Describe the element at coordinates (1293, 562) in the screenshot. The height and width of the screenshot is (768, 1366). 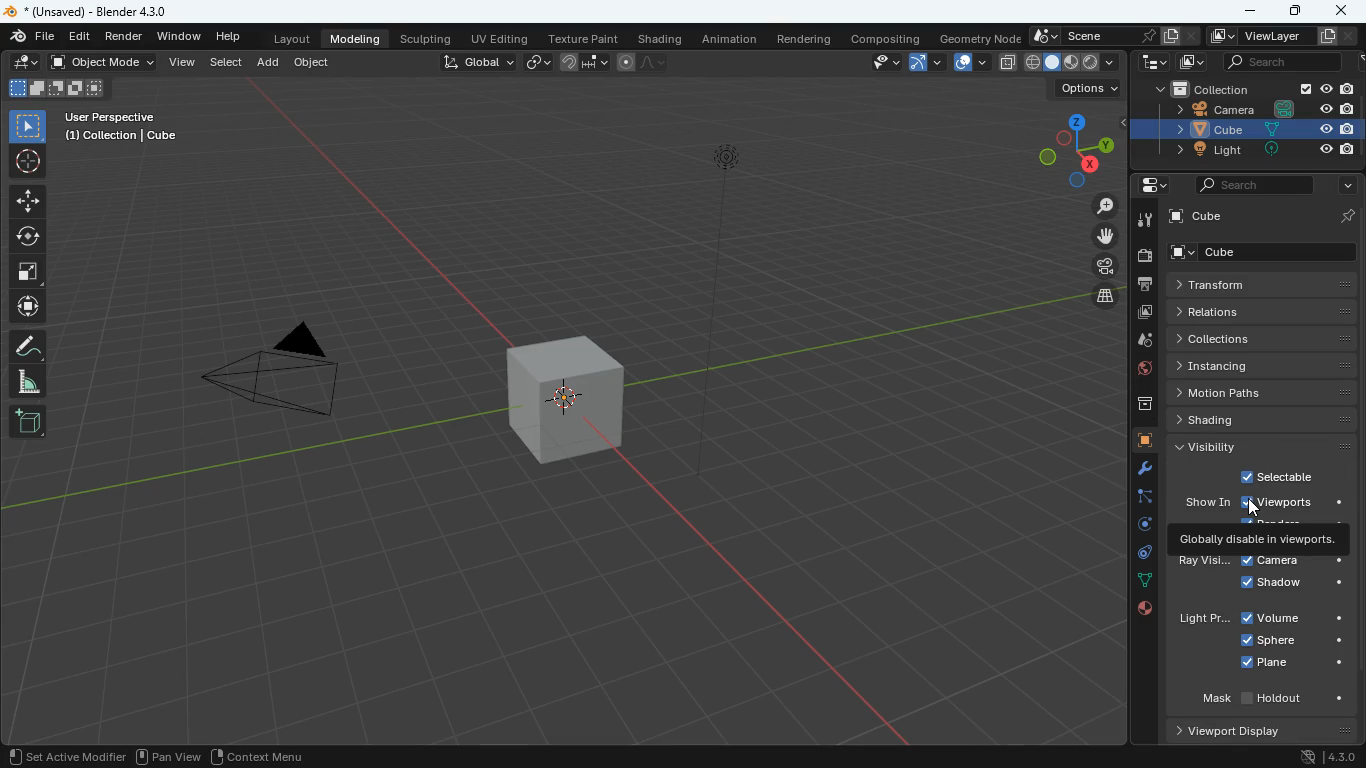
I see `camera` at that location.